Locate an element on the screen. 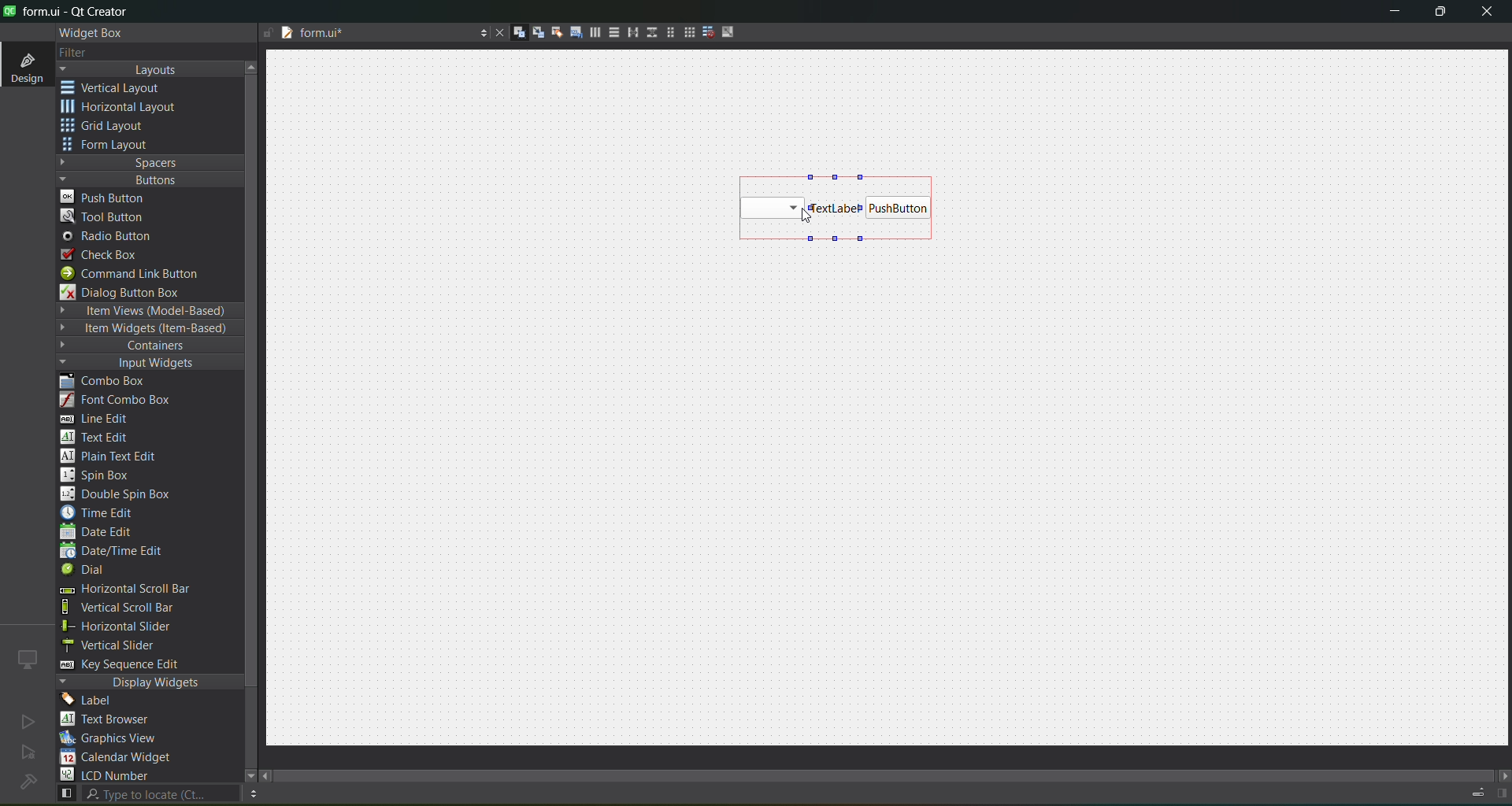 The height and width of the screenshot is (806, 1512). no active project is located at coordinates (28, 753).